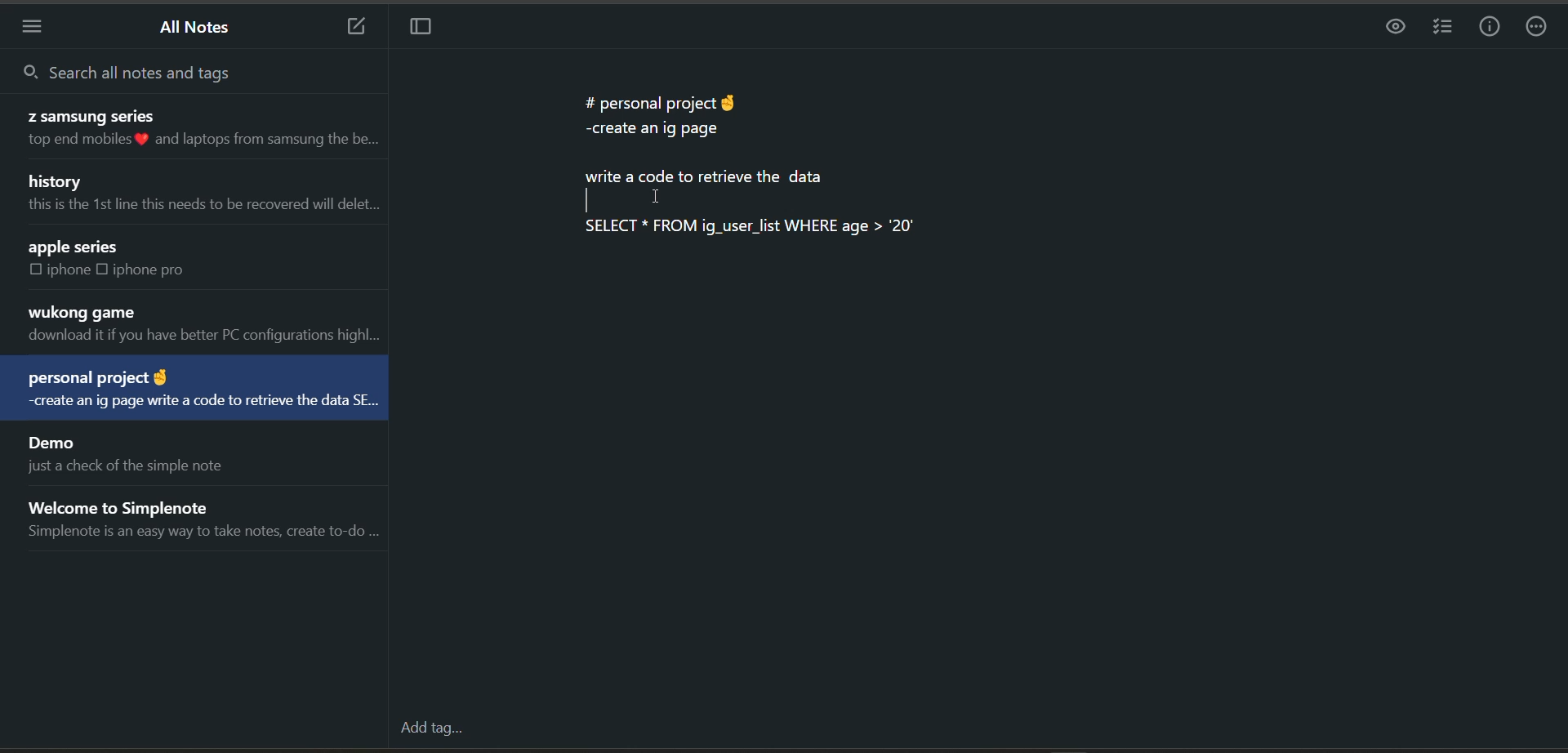 The height and width of the screenshot is (753, 1568). Describe the element at coordinates (737, 171) in the screenshot. I see `# personal project &

-create an ig page

write a code to retrieve the data

| I

SELECT * FROM ig_user_list WHERE age > "20` at that location.